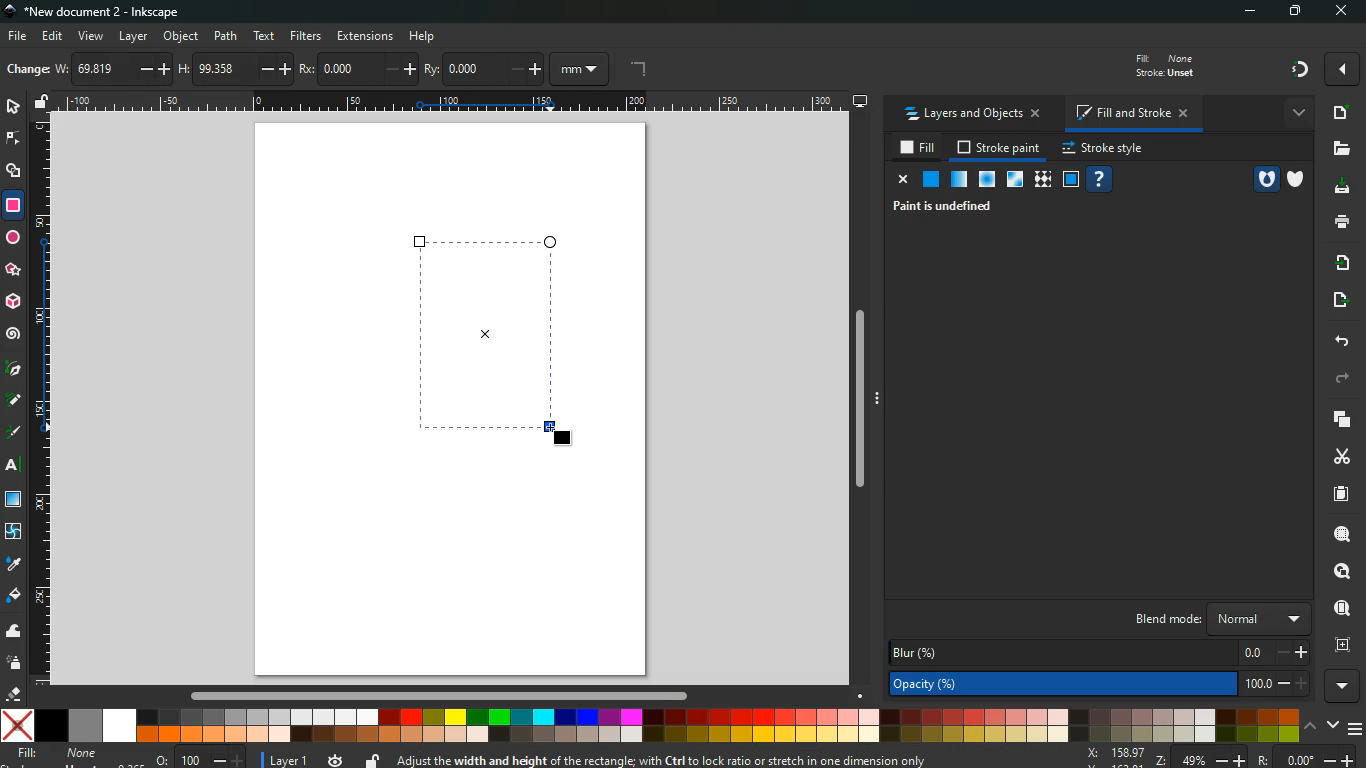 The width and height of the screenshot is (1366, 768). Describe the element at coordinates (15, 467) in the screenshot. I see `text` at that location.